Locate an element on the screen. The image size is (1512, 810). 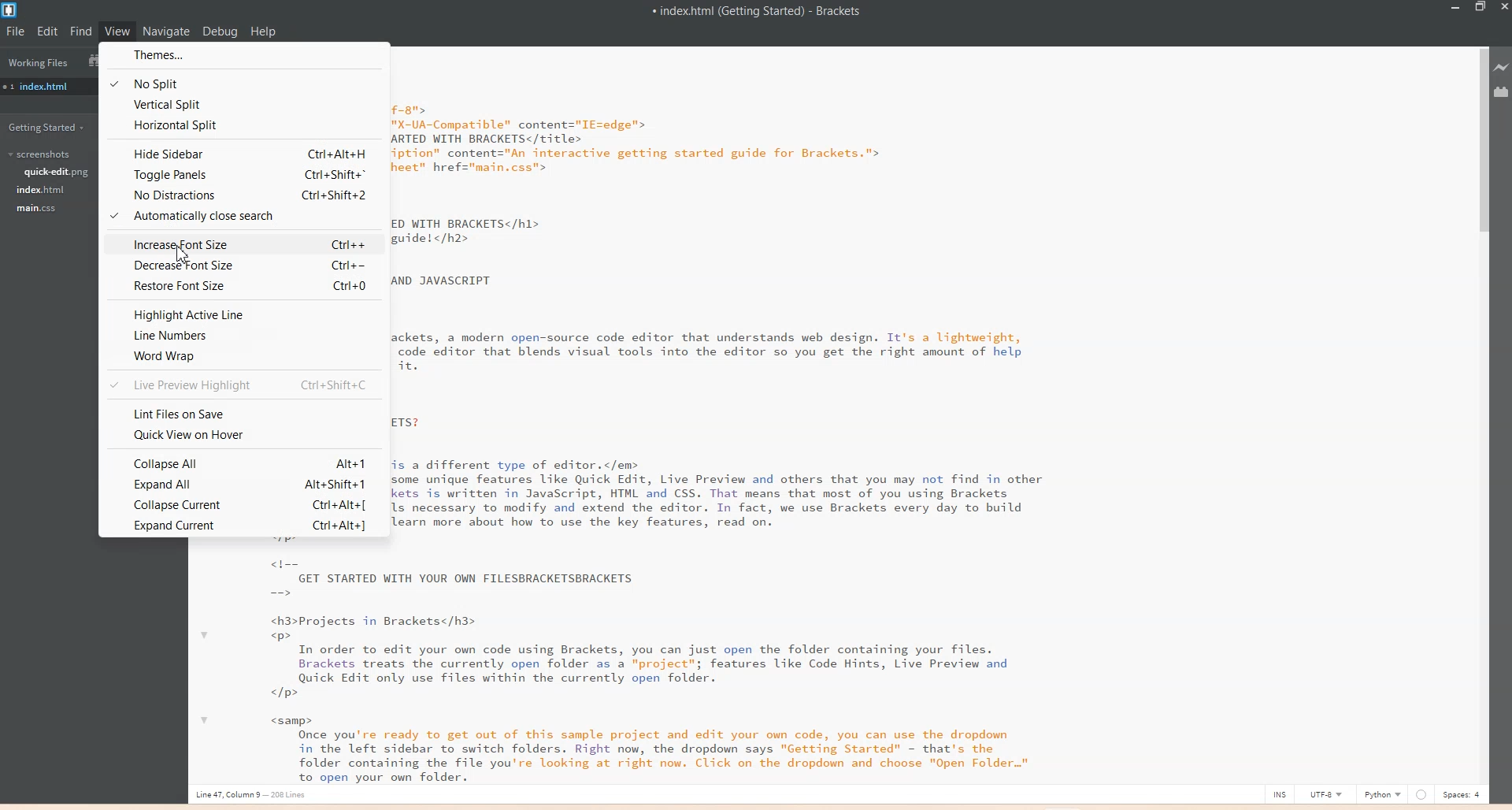
Getting Started is located at coordinates (52, 128).